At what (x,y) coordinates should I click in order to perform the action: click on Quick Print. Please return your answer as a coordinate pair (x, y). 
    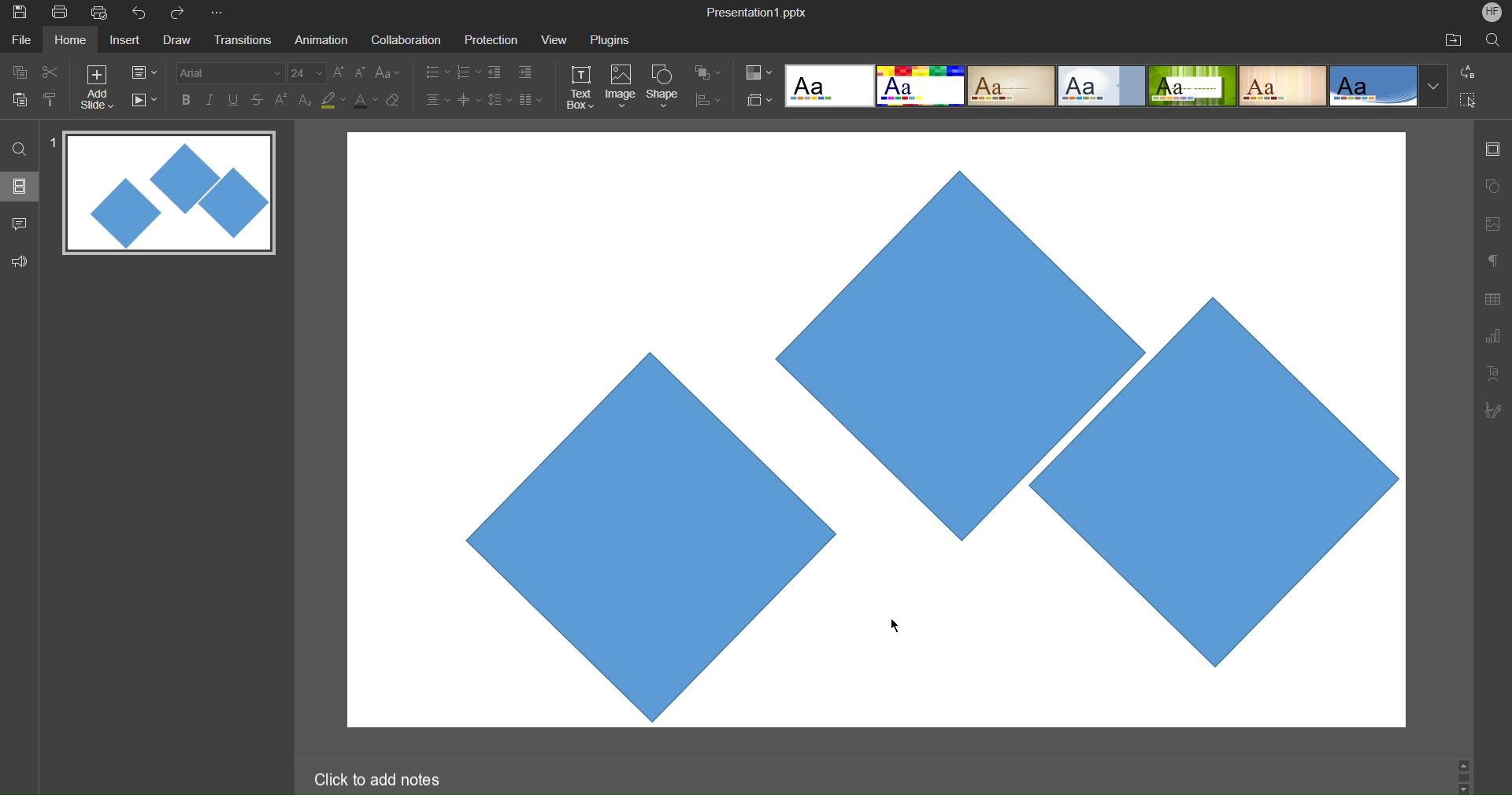
    Looking at the image, I should click on (102, 13).